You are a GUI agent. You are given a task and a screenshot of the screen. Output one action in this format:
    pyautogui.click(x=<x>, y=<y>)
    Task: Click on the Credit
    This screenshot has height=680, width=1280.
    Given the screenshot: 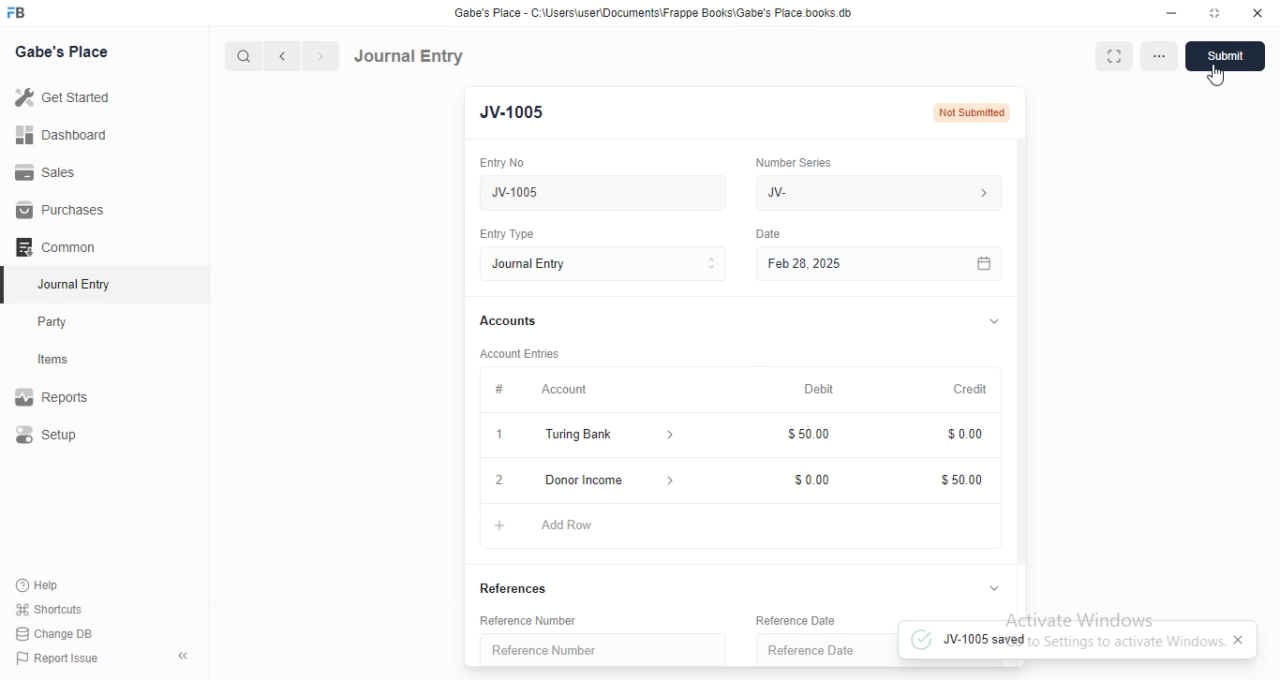 What is the action you would take?
    pyautogui.click(x=970, y=389)
    